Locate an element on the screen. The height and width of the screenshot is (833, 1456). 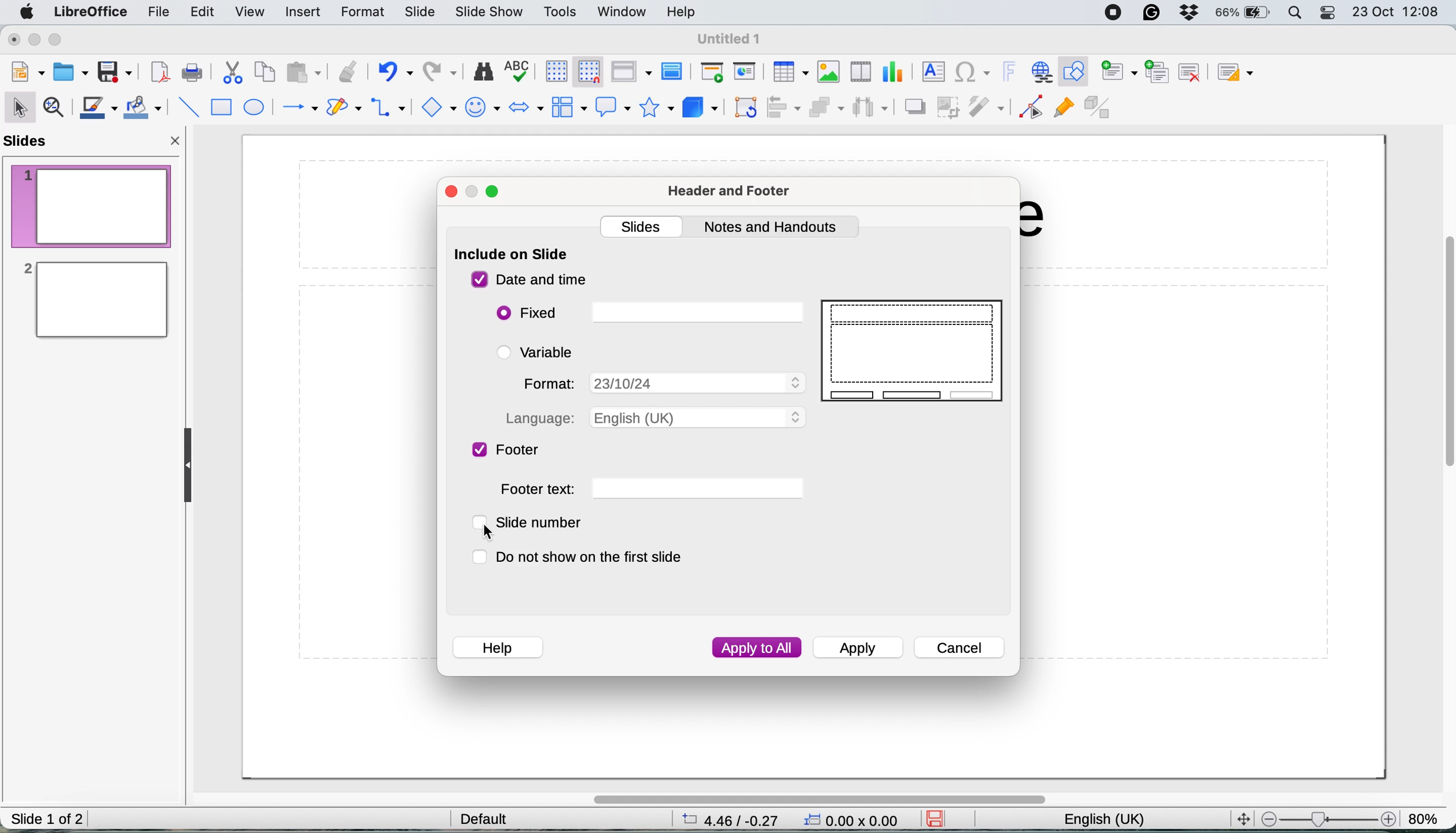
insert double arrow lines is located at coordinates (389, 109).